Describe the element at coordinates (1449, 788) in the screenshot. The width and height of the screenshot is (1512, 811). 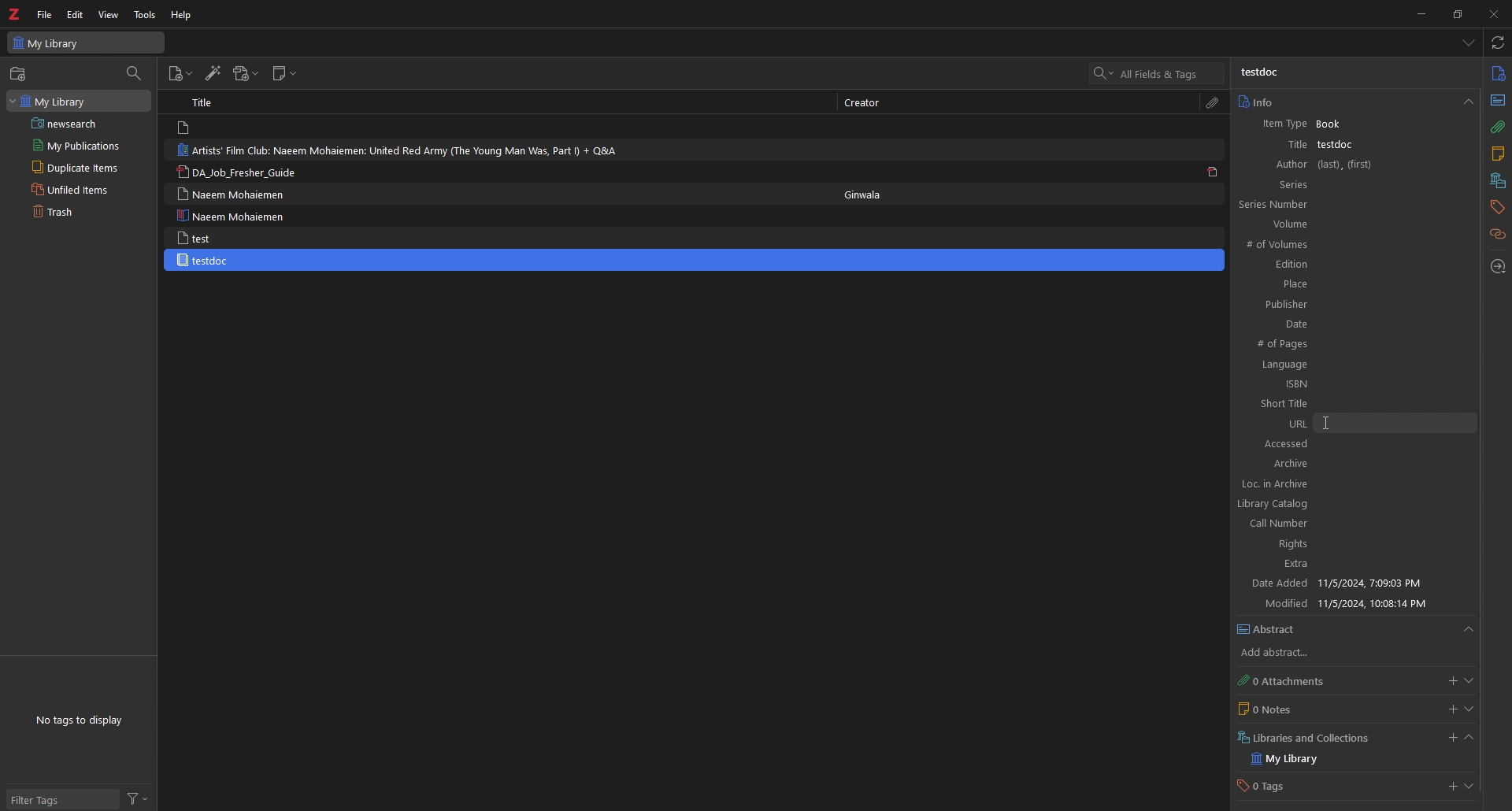
I see `add tags` at that location.